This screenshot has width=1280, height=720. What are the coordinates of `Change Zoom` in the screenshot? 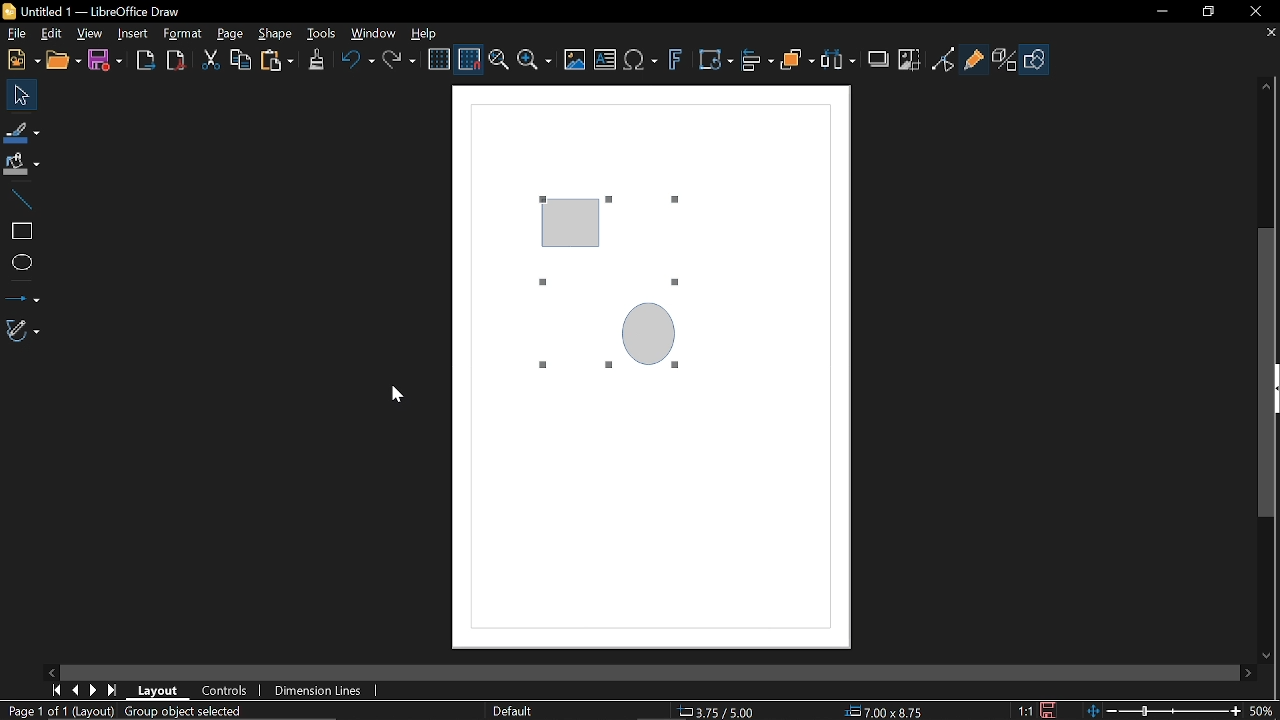 It's located at (1166, 712).